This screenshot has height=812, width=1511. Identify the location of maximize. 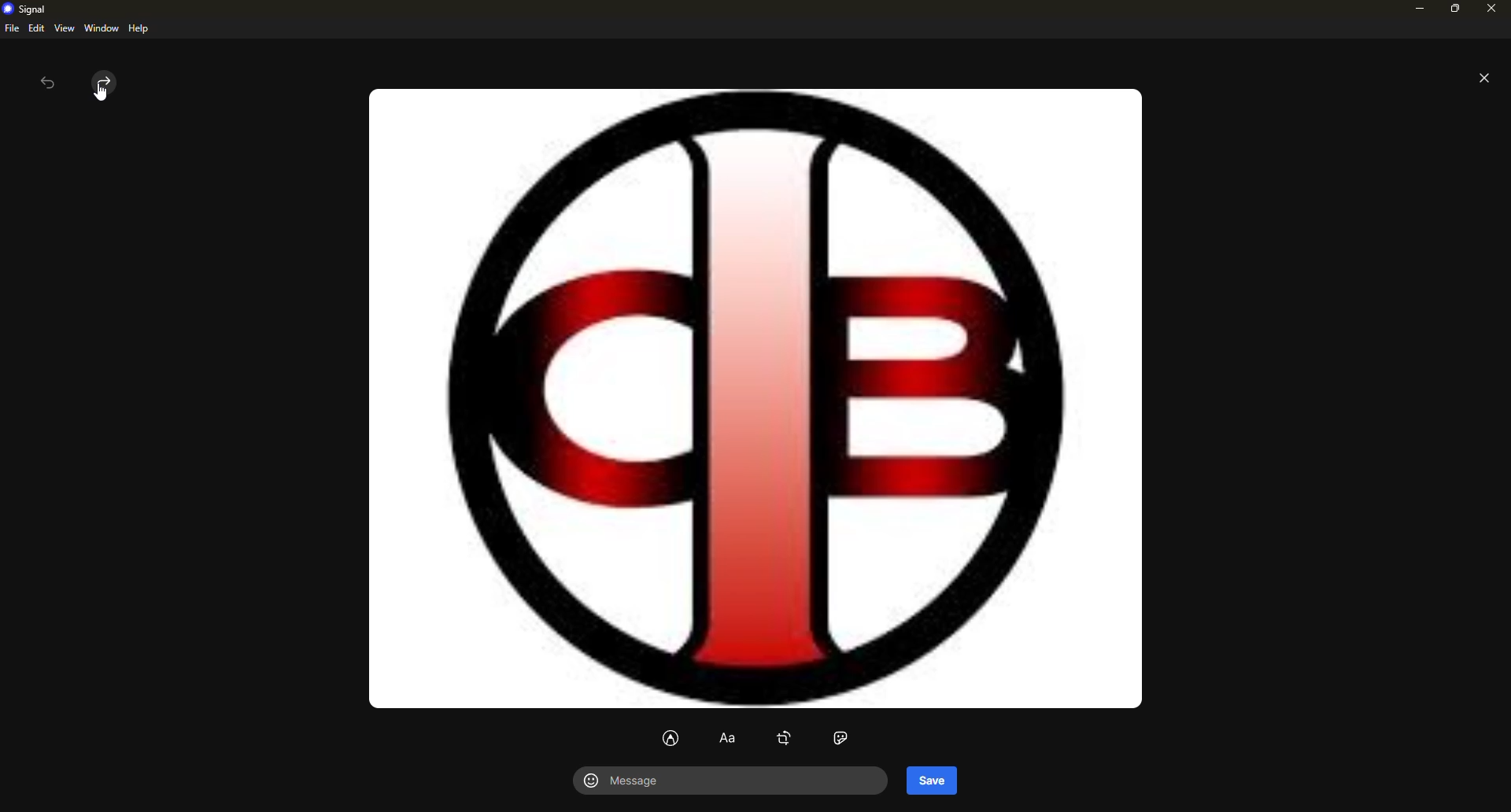
(1453, 12).